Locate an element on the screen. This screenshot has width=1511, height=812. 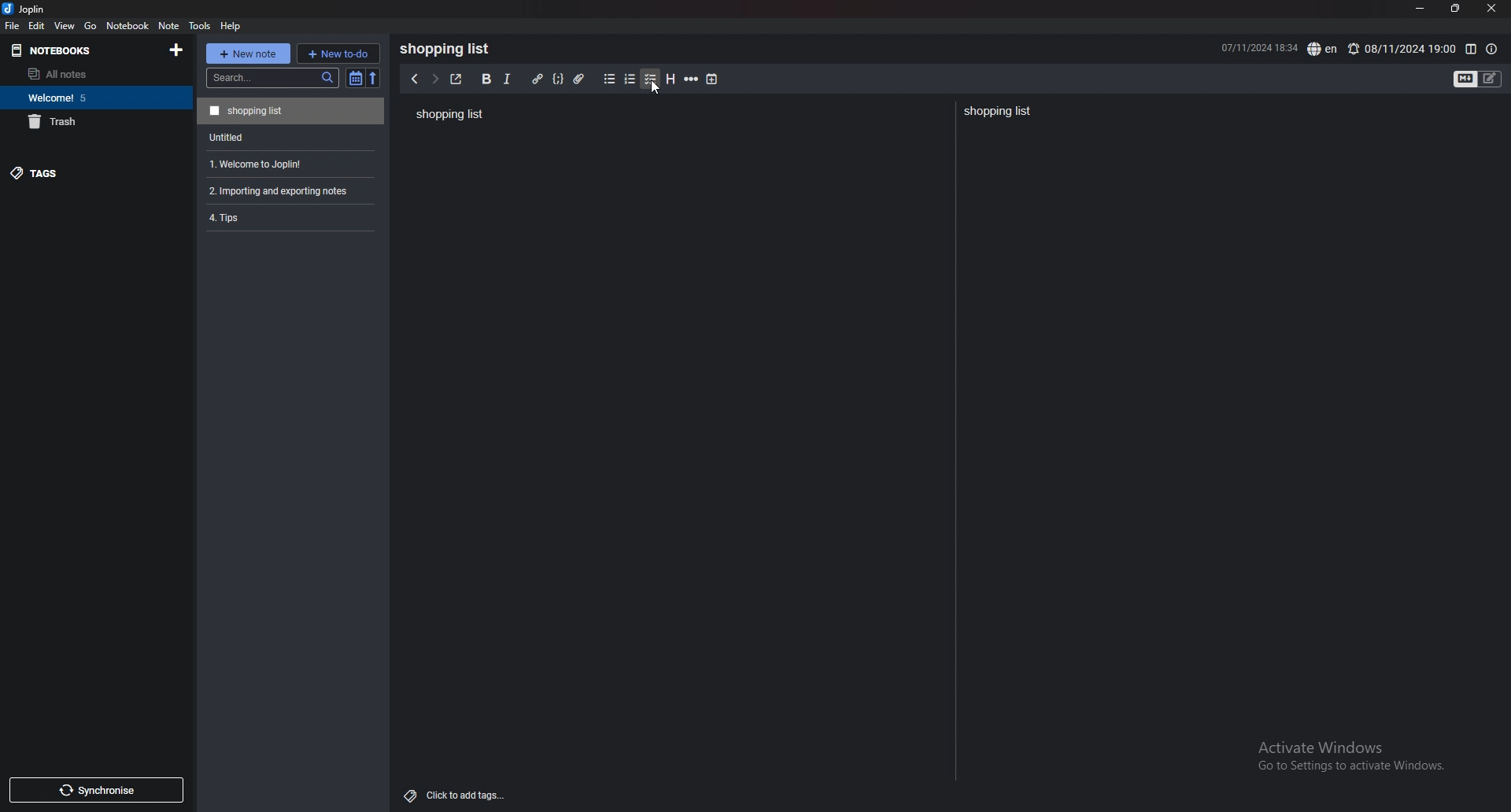
new todo is located at coordinates (338, 53).